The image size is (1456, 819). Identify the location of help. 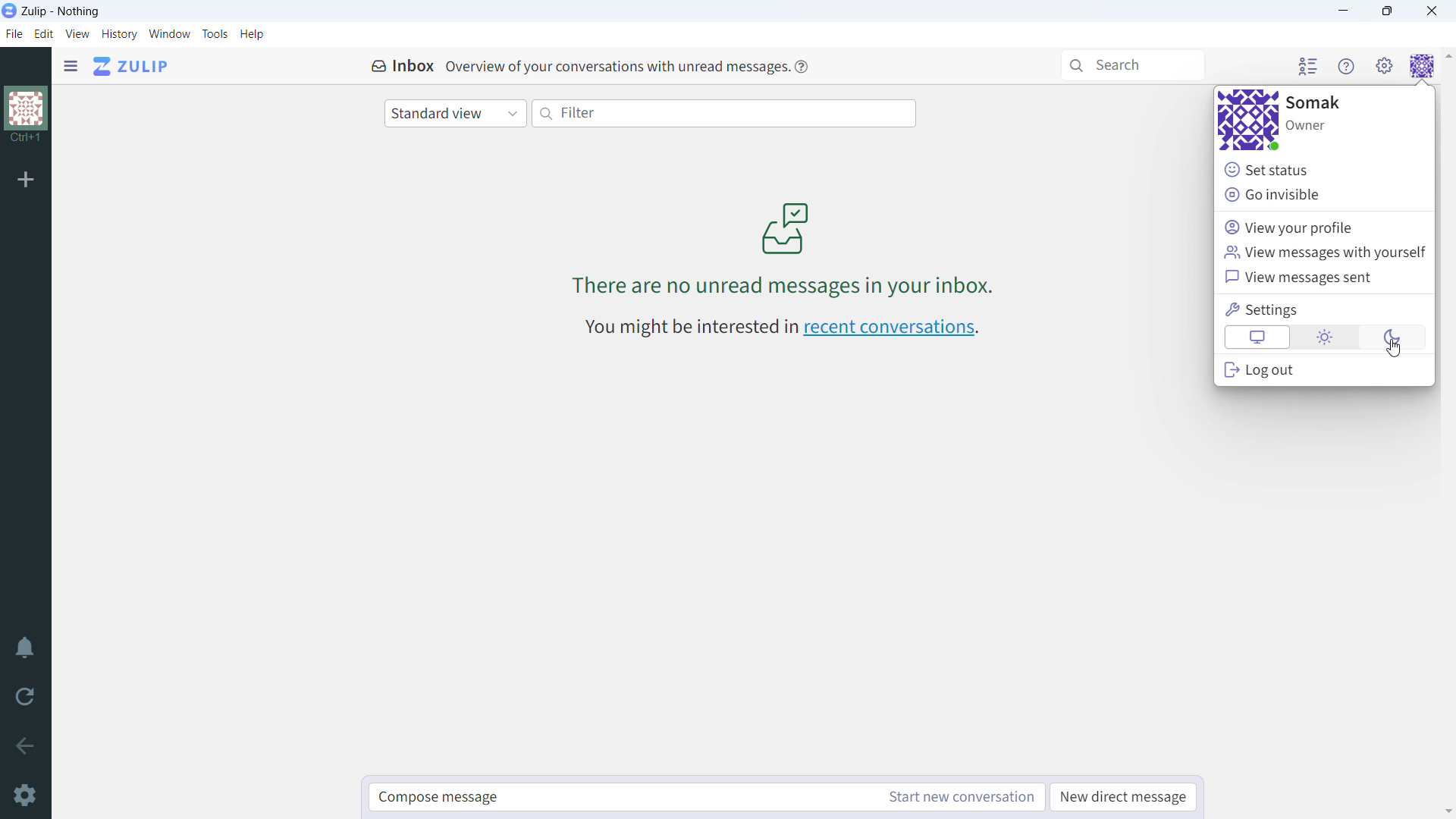
(252, 34).